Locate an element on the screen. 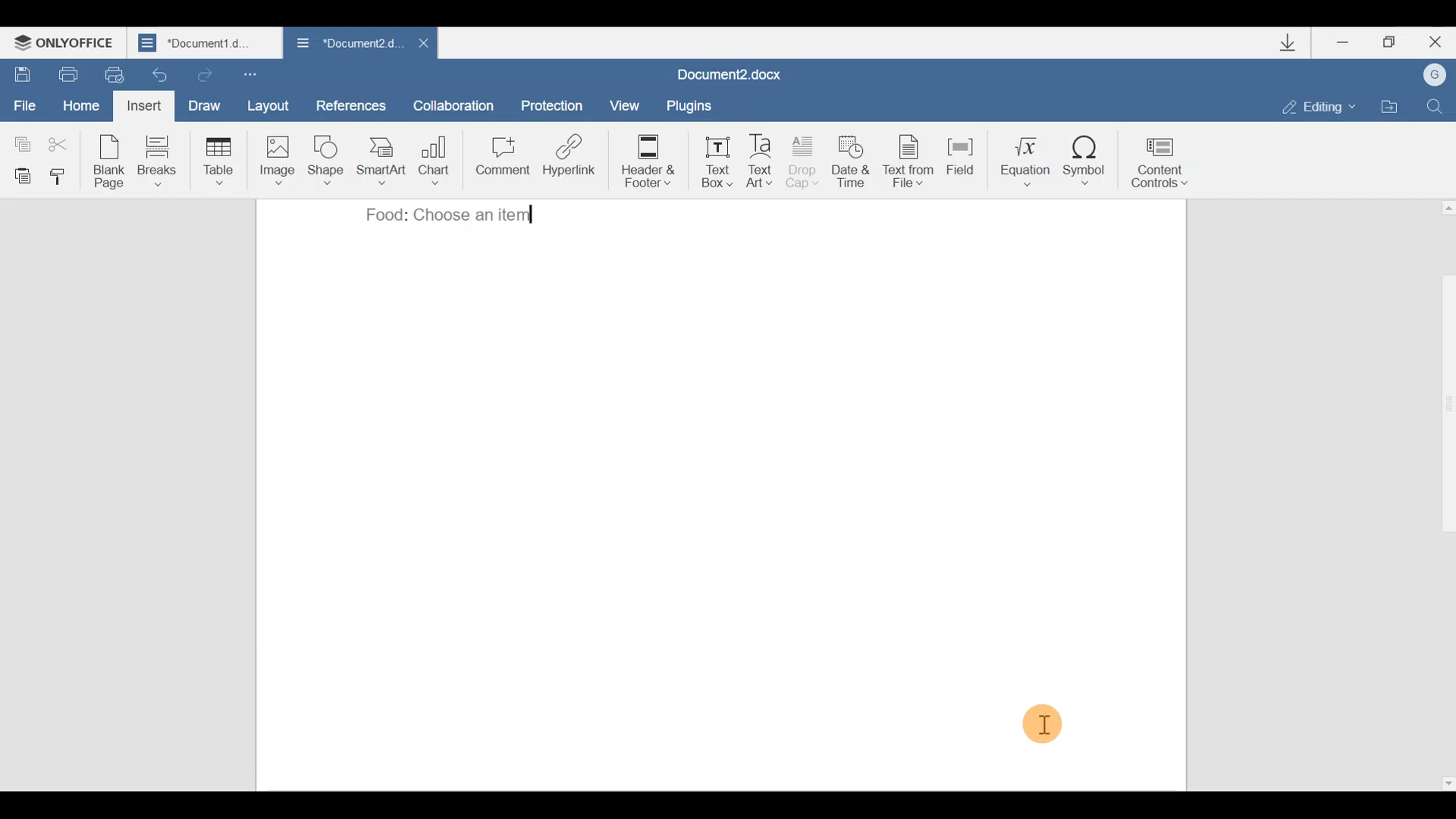  Hyperlink is located at coordinates (570, 160).